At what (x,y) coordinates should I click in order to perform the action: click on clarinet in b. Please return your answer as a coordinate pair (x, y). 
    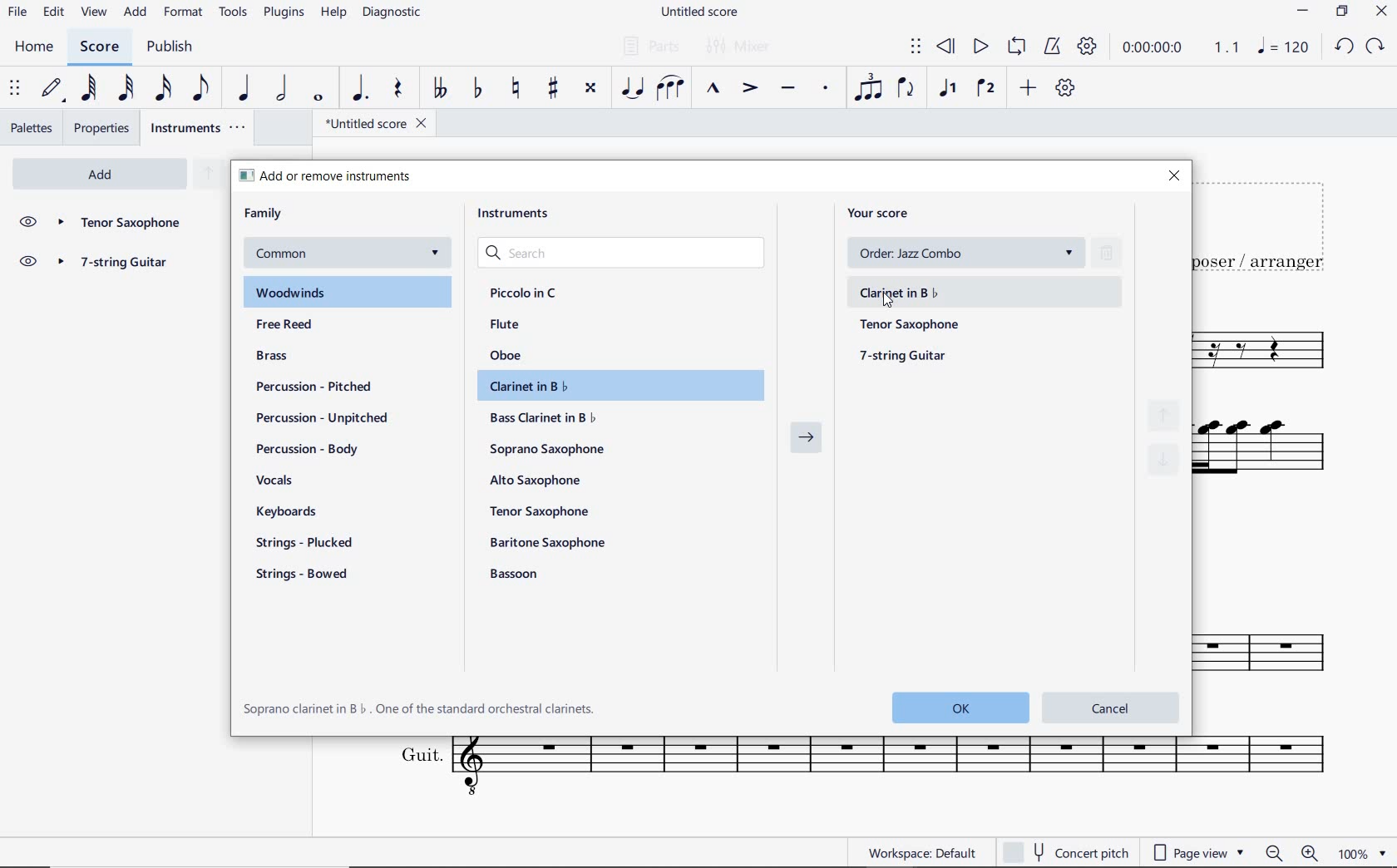
    Looking at the image, I should click on (615, 386).